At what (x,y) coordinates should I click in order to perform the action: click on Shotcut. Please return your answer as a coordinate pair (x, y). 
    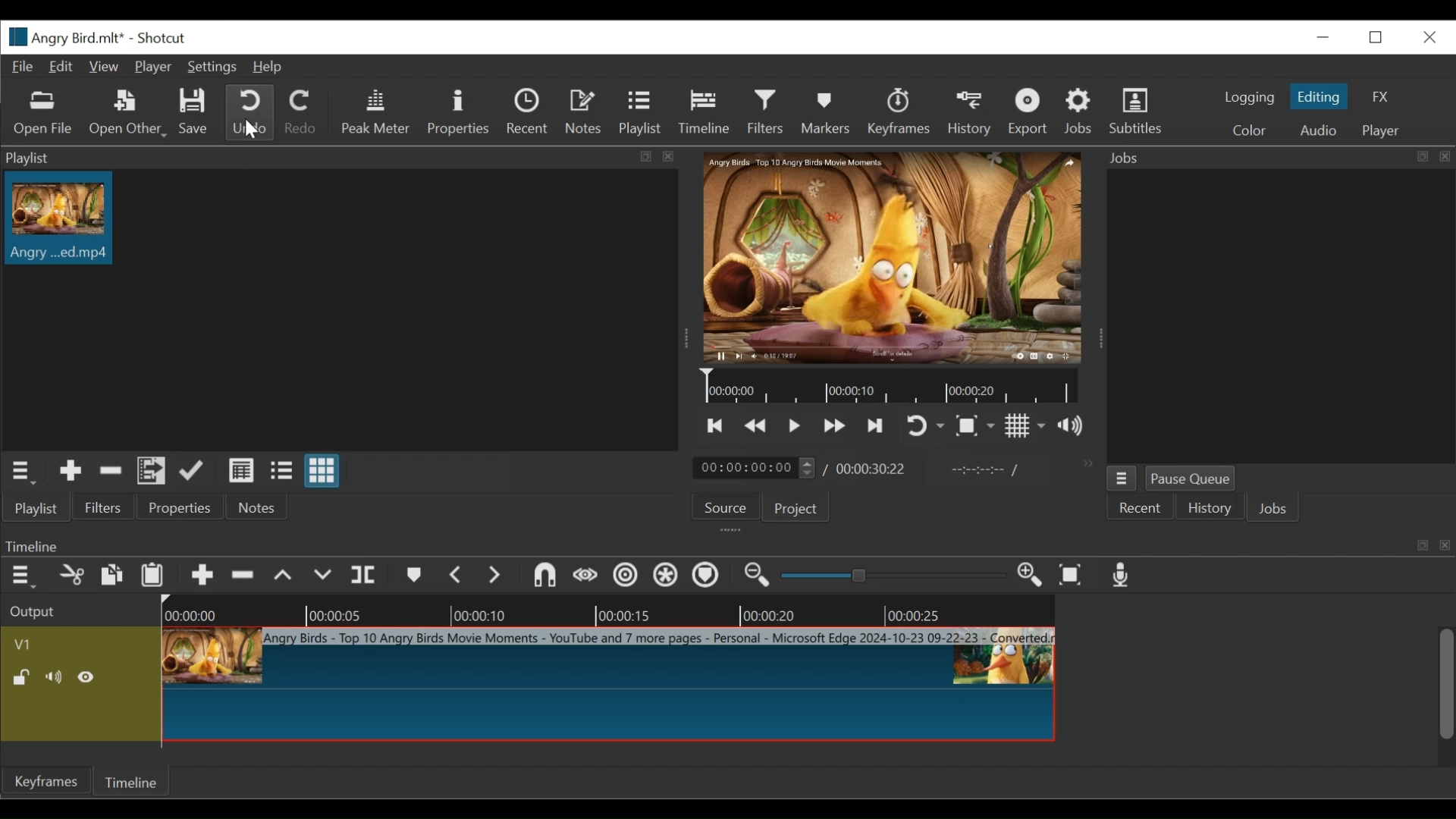
    Looking at the image, I should click on (158, 38).